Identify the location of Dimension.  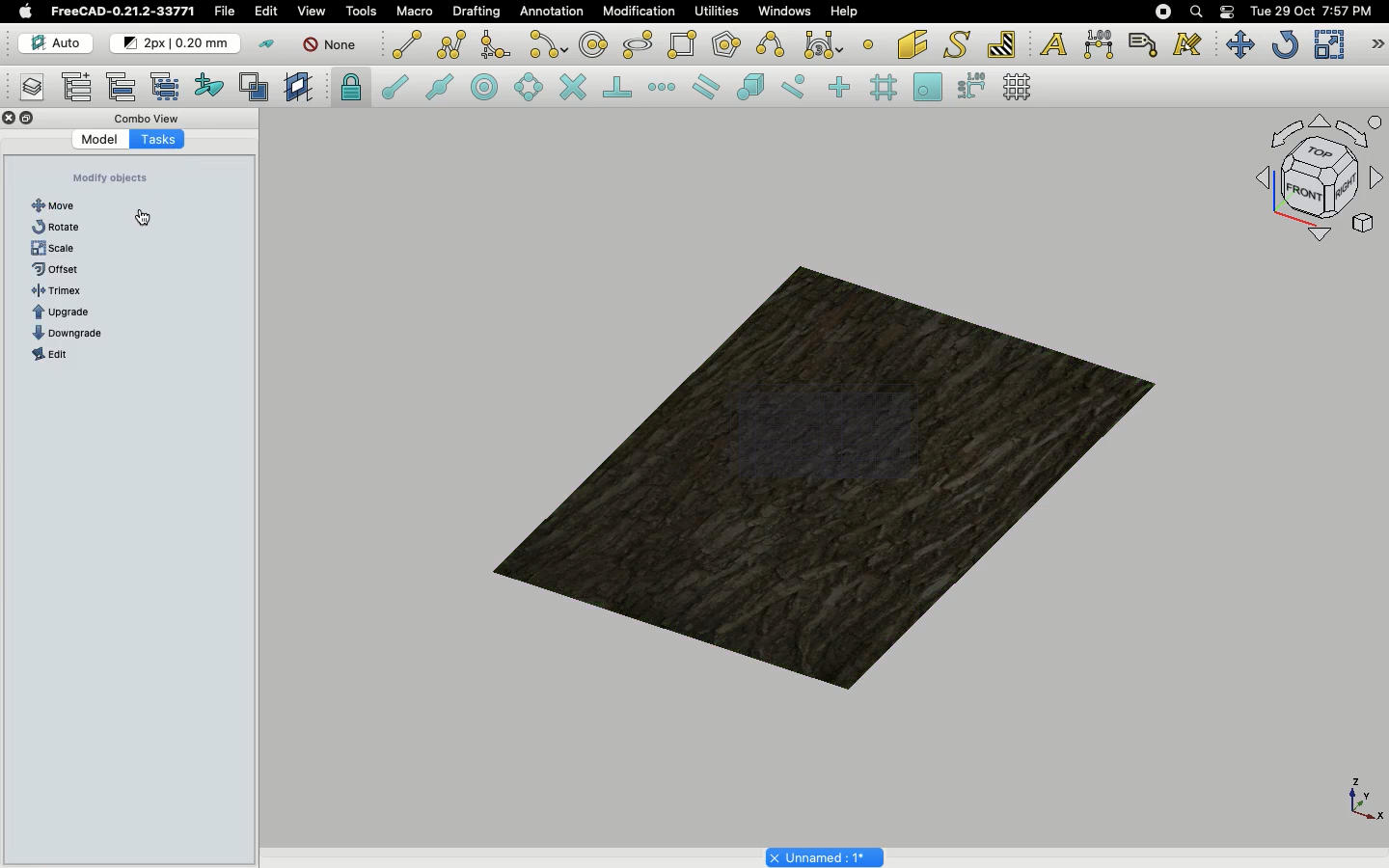
(1101, 44).